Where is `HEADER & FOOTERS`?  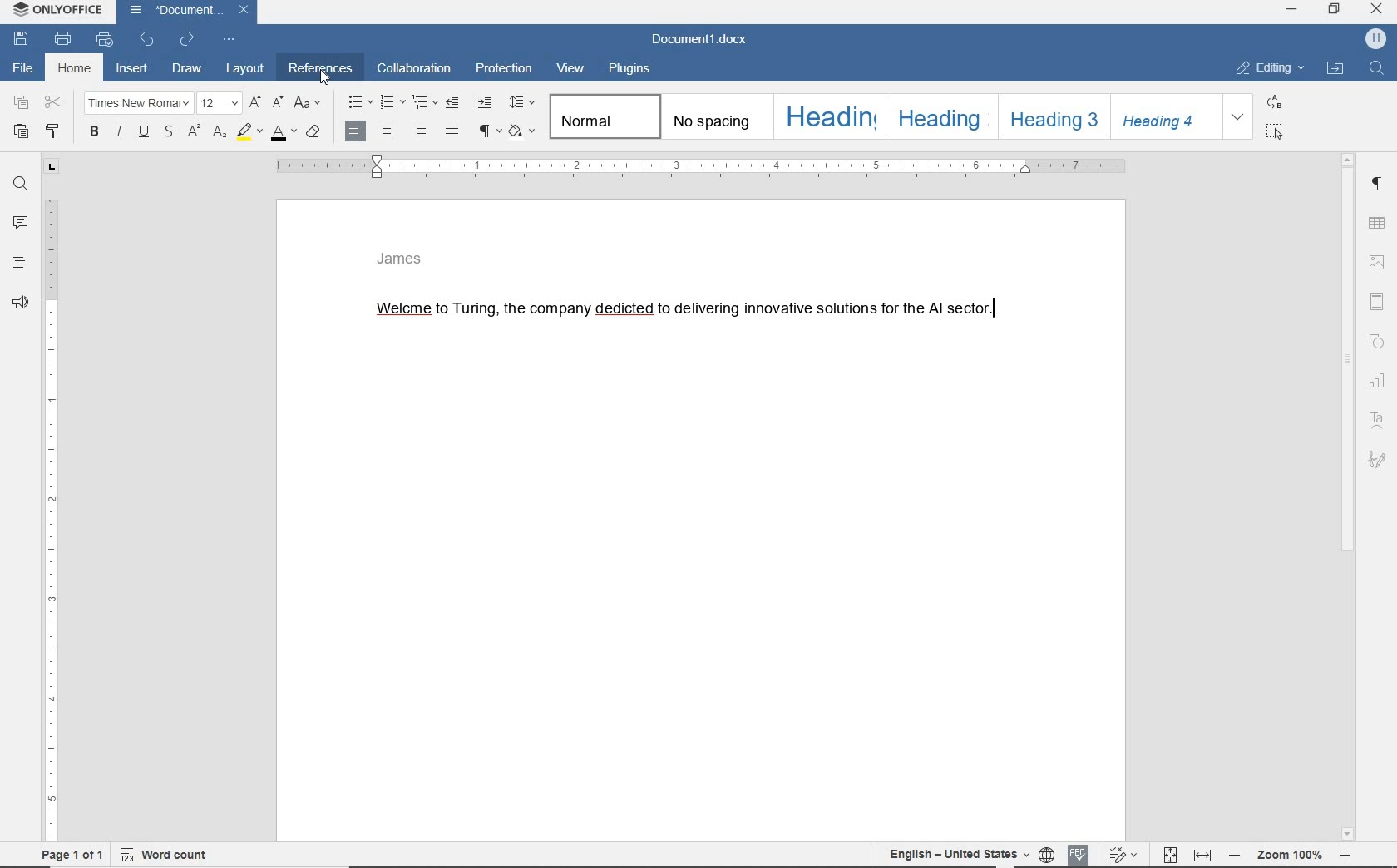
HEADER & FOOTERS is located at coordinates (1380, 299).